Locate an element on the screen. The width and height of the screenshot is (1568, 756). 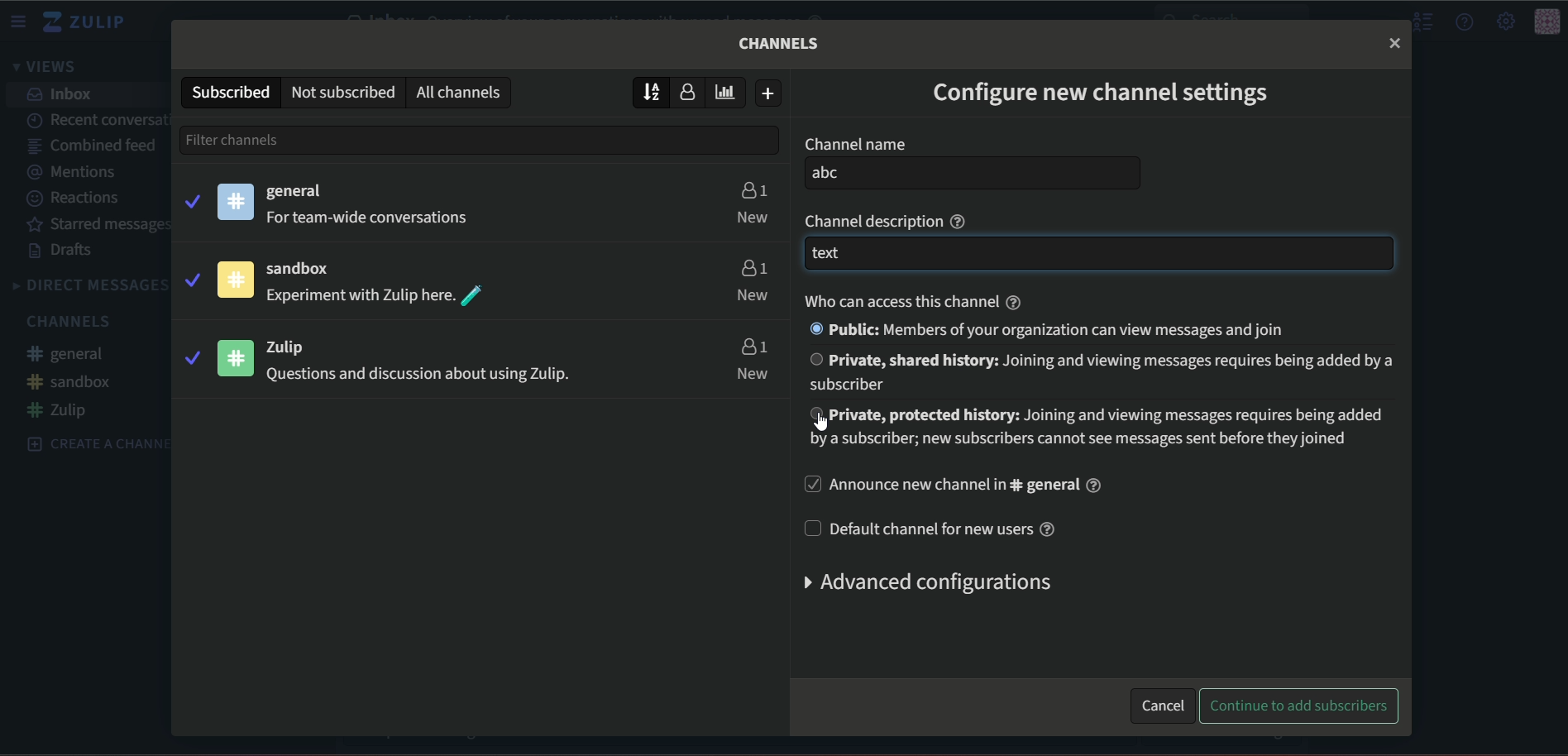
users is located at coordinates (752, 266).